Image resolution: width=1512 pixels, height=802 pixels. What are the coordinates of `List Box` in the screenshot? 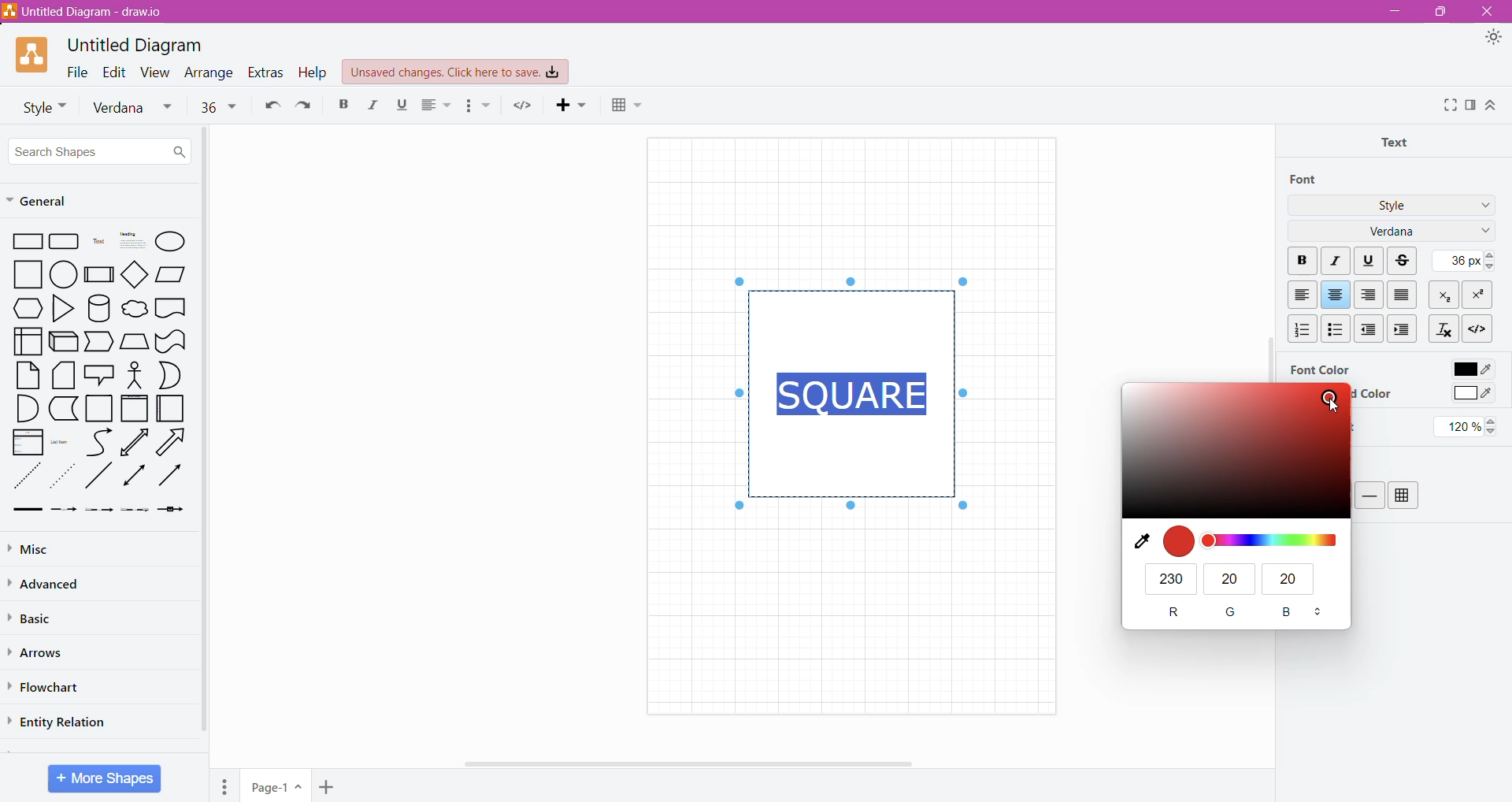 It's located at (26, 442).